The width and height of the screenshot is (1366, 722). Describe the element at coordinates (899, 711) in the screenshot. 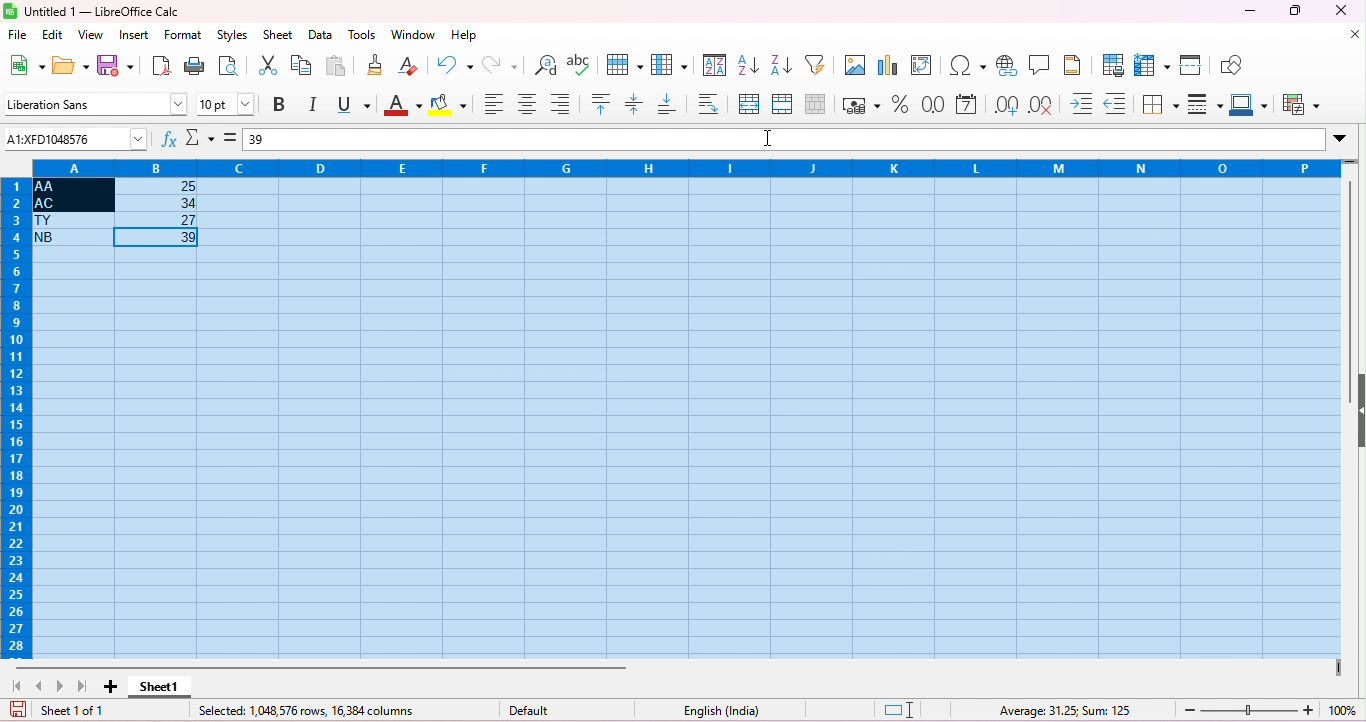

I see `standard selection` at that location.